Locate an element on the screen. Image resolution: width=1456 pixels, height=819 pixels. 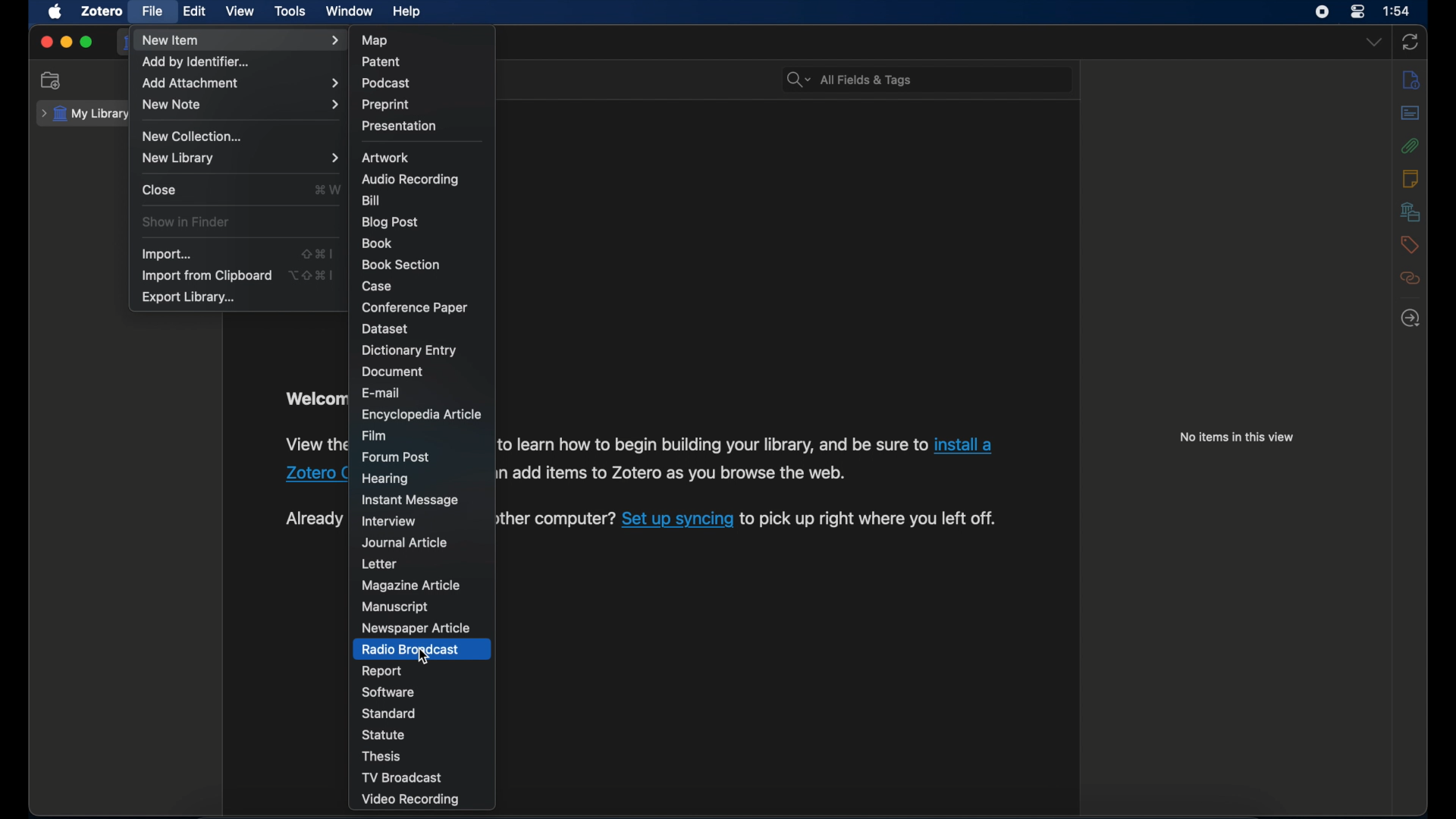
maximize is located at coordinates (86, 42).